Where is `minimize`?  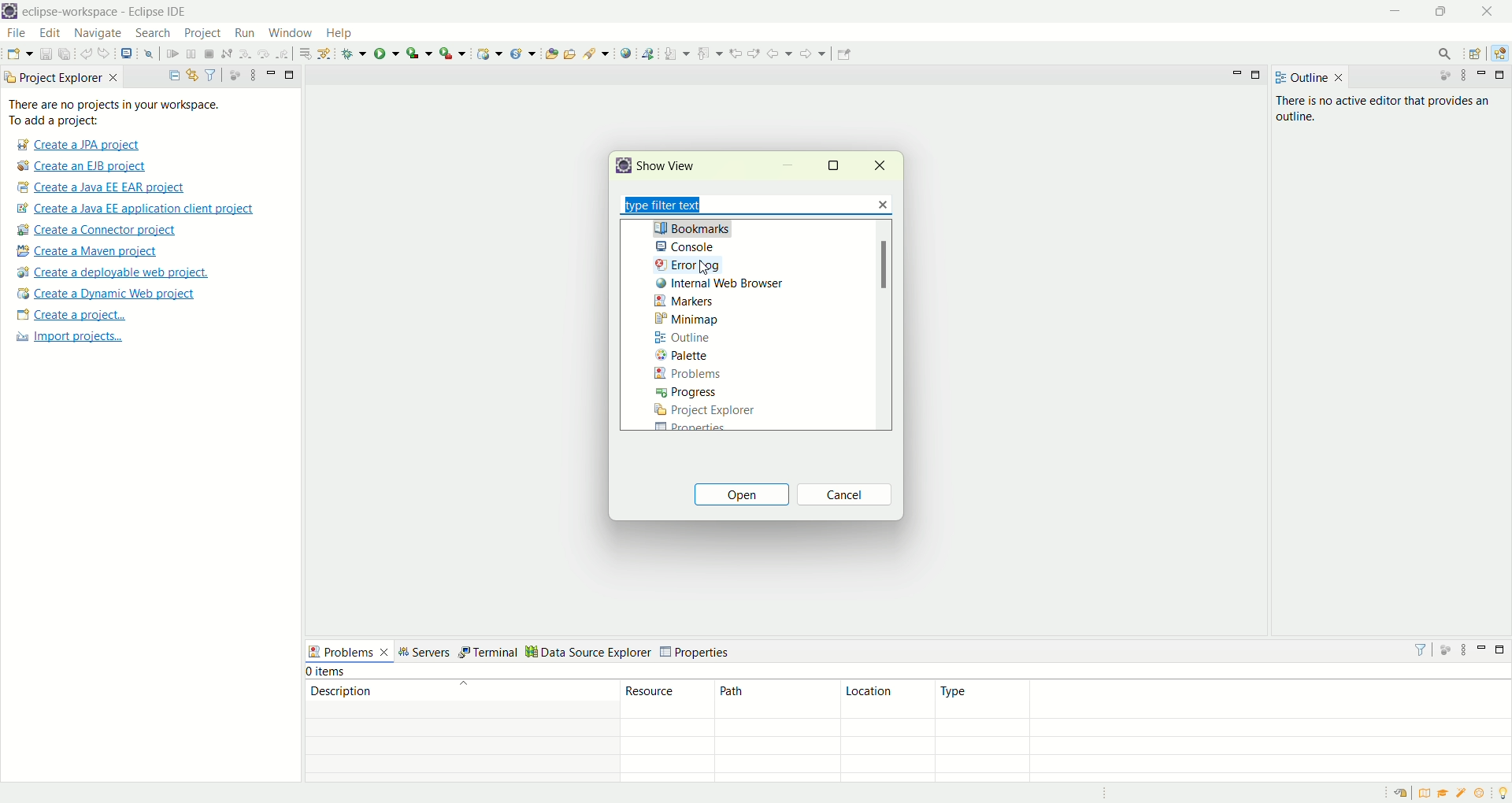
minimize is located at coordinates (1393, 12).